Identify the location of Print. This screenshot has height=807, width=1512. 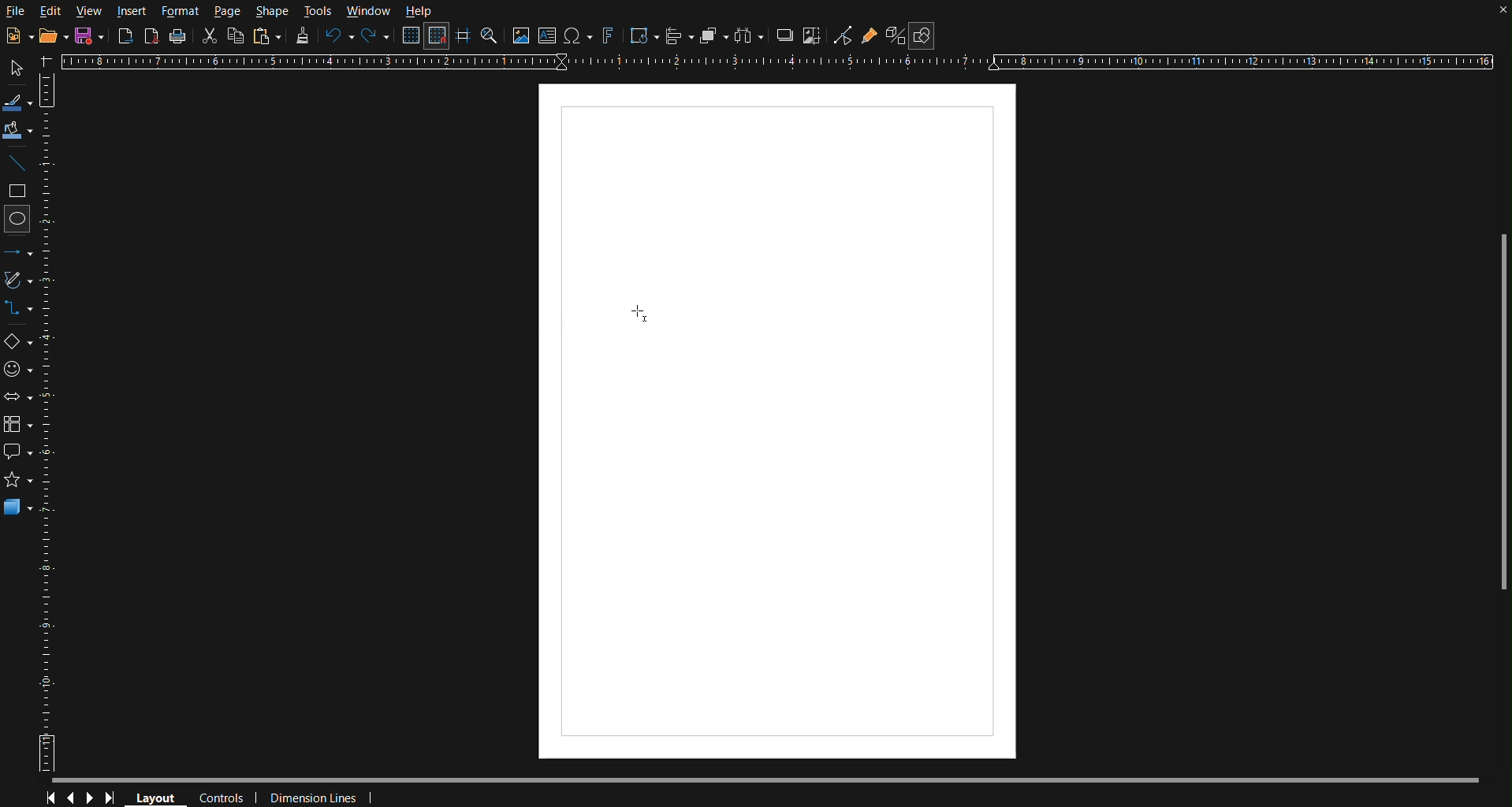
(180, 35).